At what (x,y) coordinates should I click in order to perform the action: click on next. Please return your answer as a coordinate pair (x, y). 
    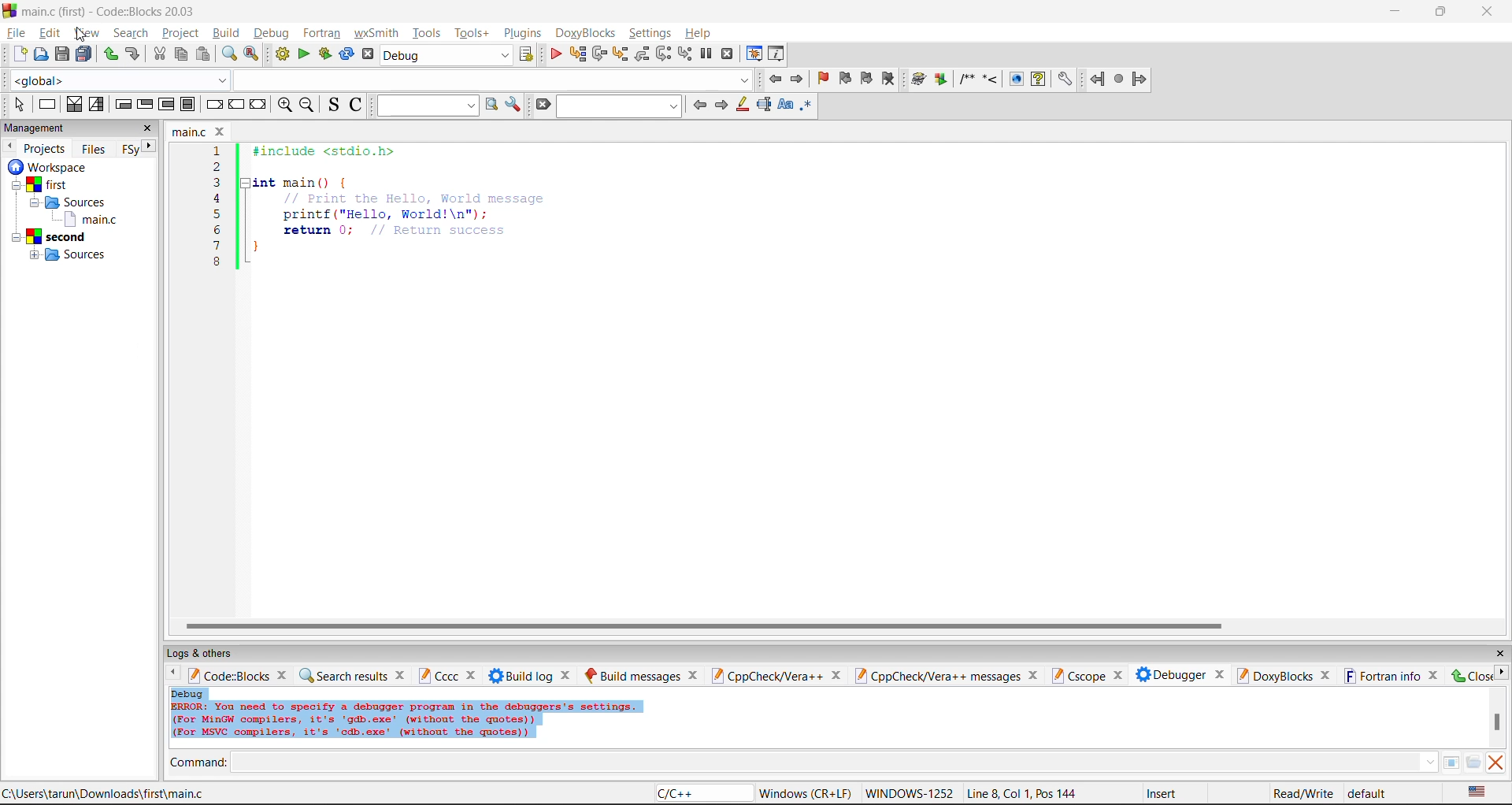
    Looking at the image, I should click on (722, 105).